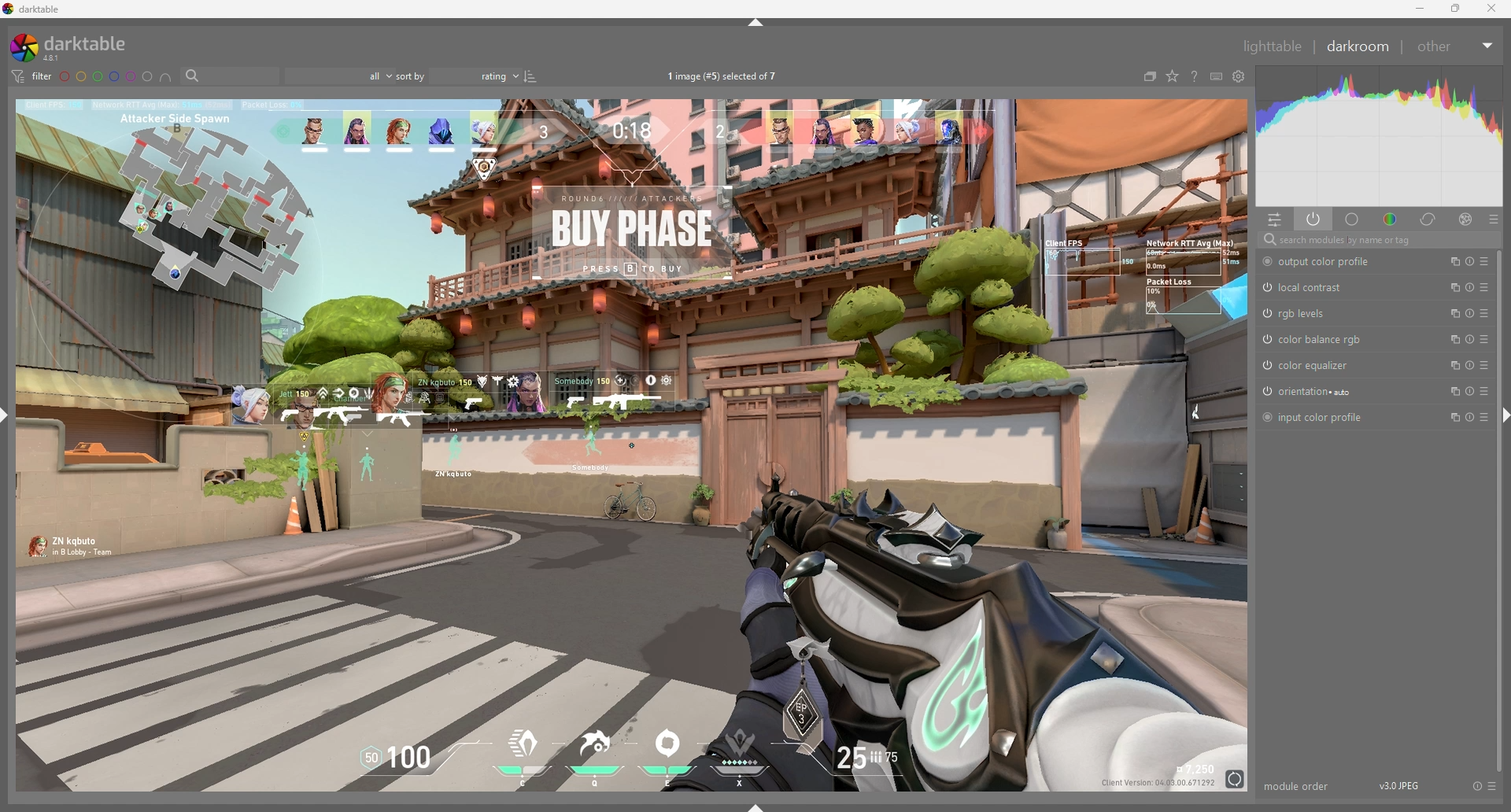 The image size is (1511, 812). Describe the element at coordinates (1469, 261) in the screenshot. I see `reset` at that location.